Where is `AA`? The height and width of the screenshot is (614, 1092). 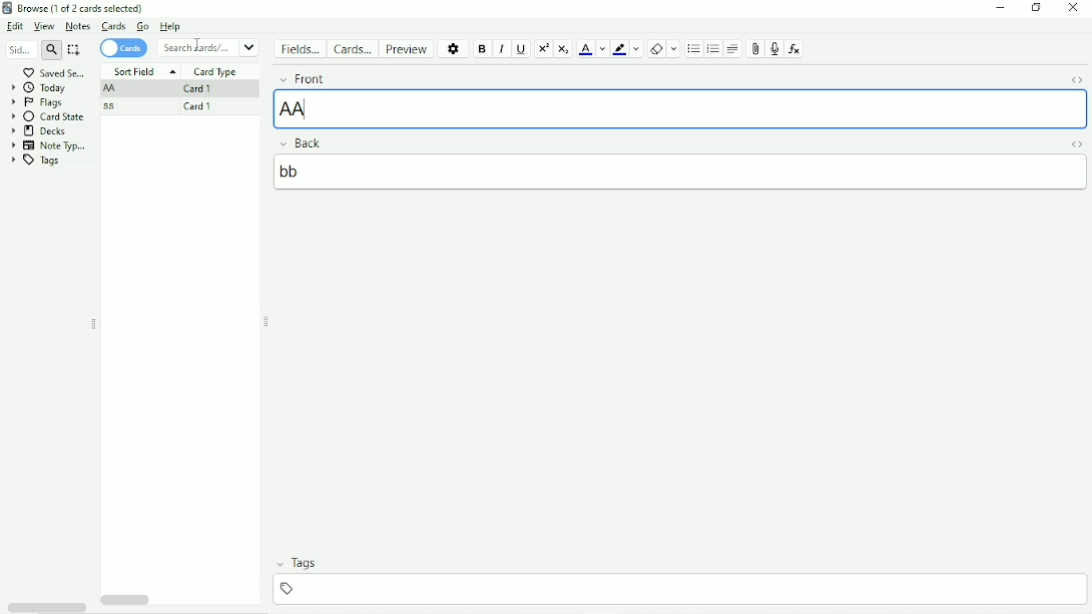
AA is located at coordinates (112, 88).